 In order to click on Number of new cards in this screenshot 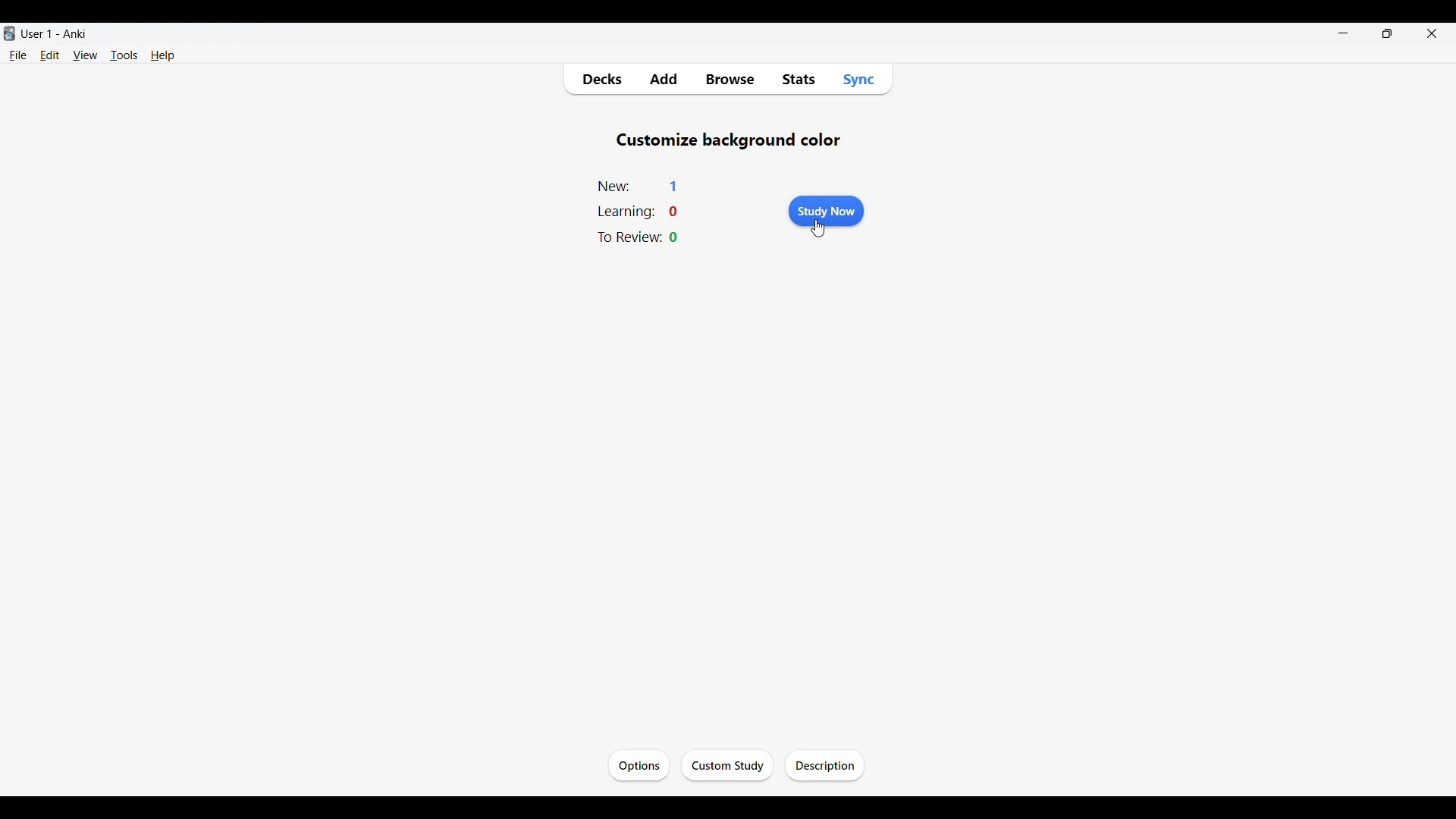, I will do `click(673, 187)`.